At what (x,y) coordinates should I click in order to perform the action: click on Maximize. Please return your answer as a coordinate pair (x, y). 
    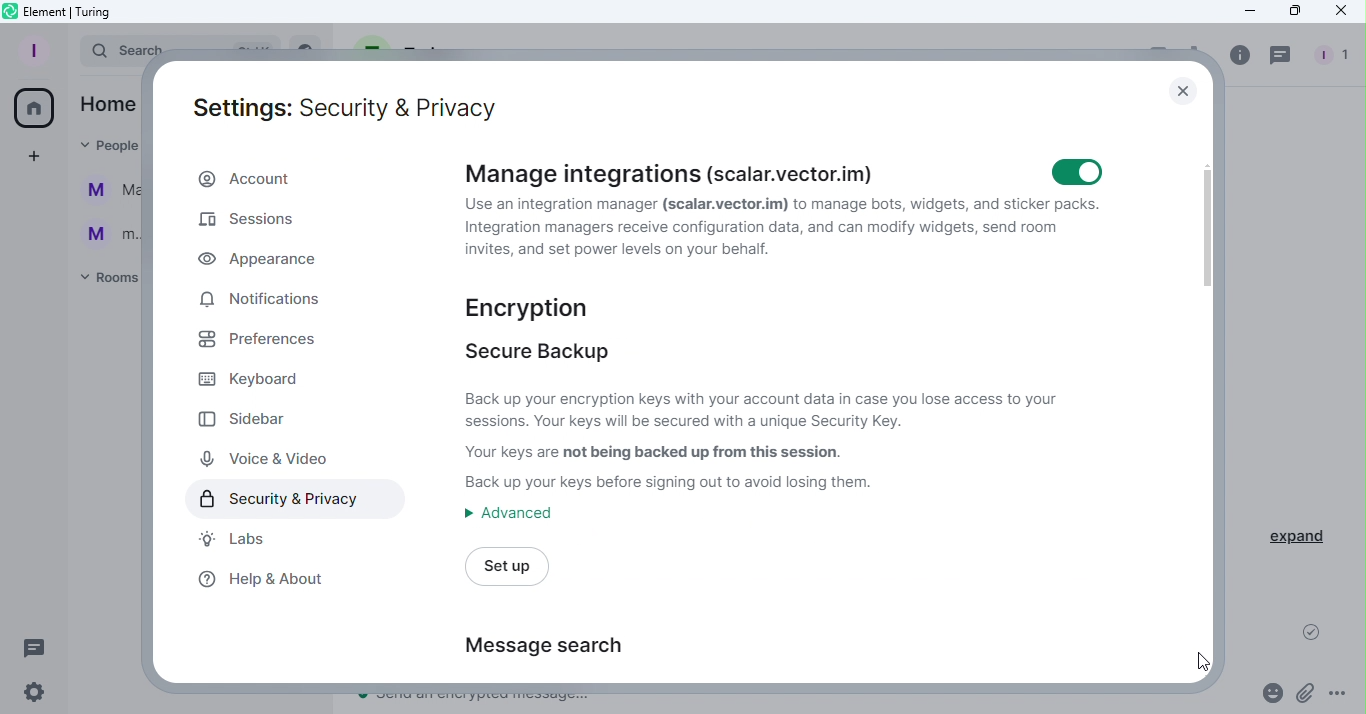
    Looking at the image, I should click on (1292, 11).